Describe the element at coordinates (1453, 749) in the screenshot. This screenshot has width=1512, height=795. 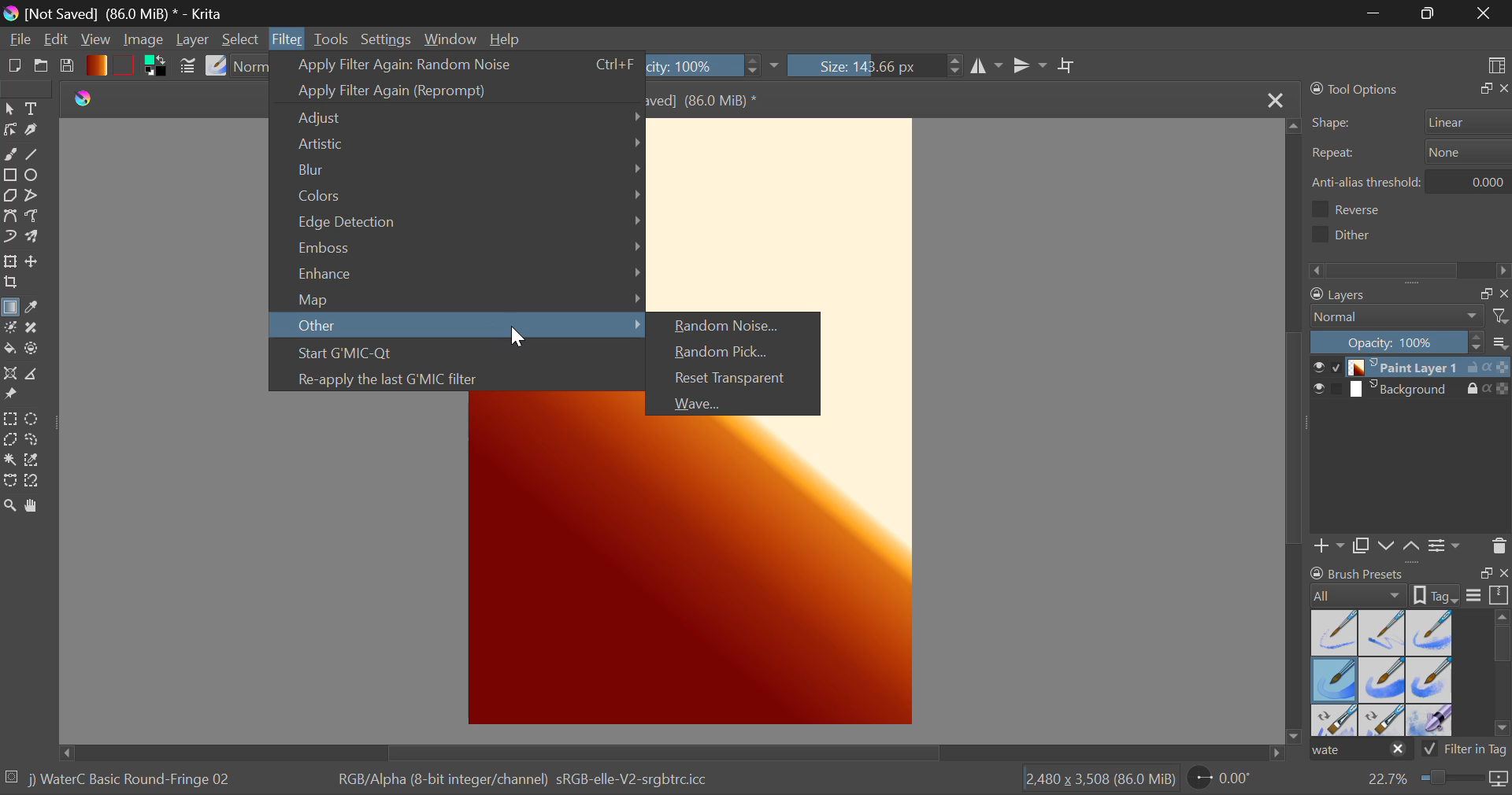
I see `tag filter` at that location.